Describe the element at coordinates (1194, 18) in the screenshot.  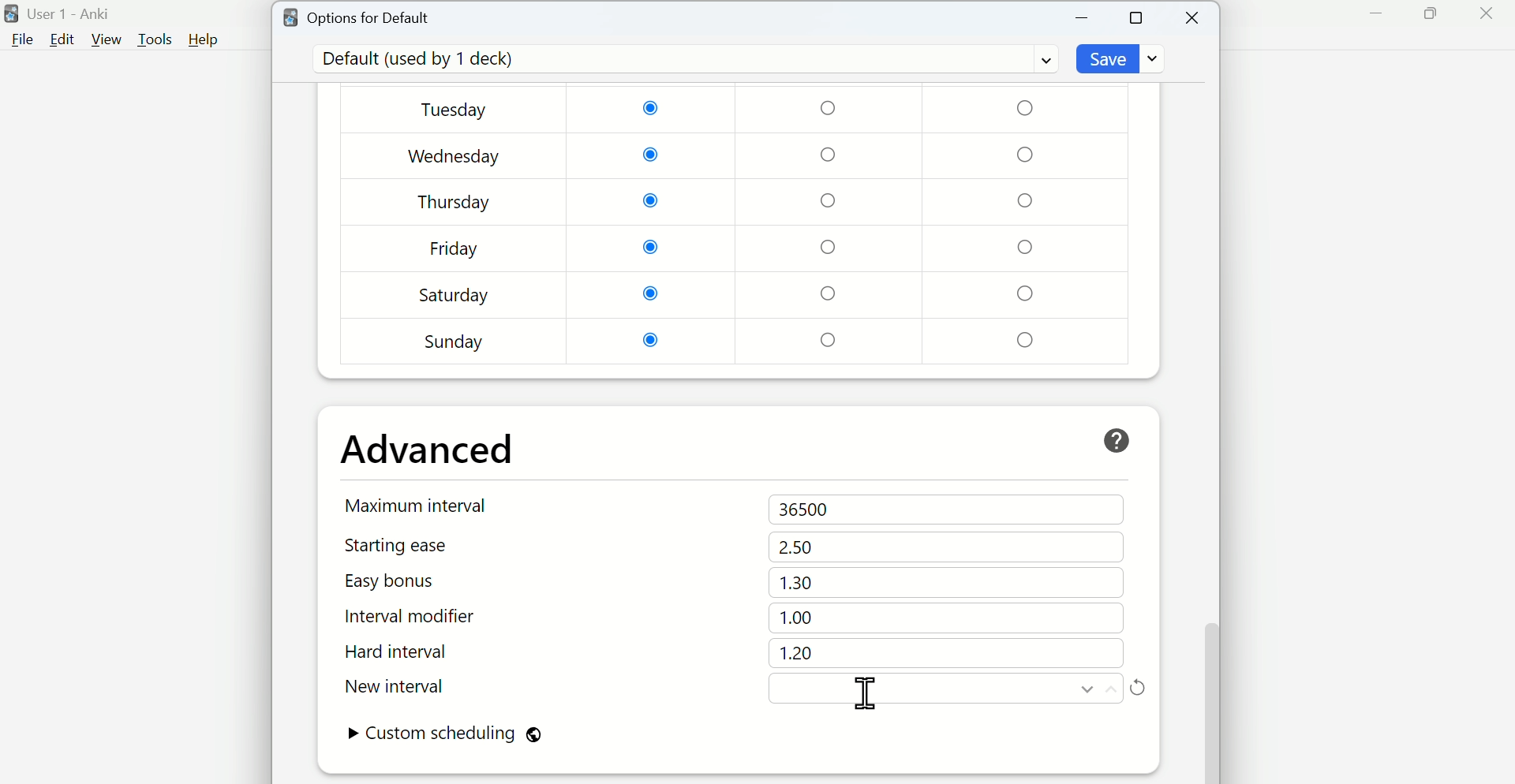
I see `Close` at that location.